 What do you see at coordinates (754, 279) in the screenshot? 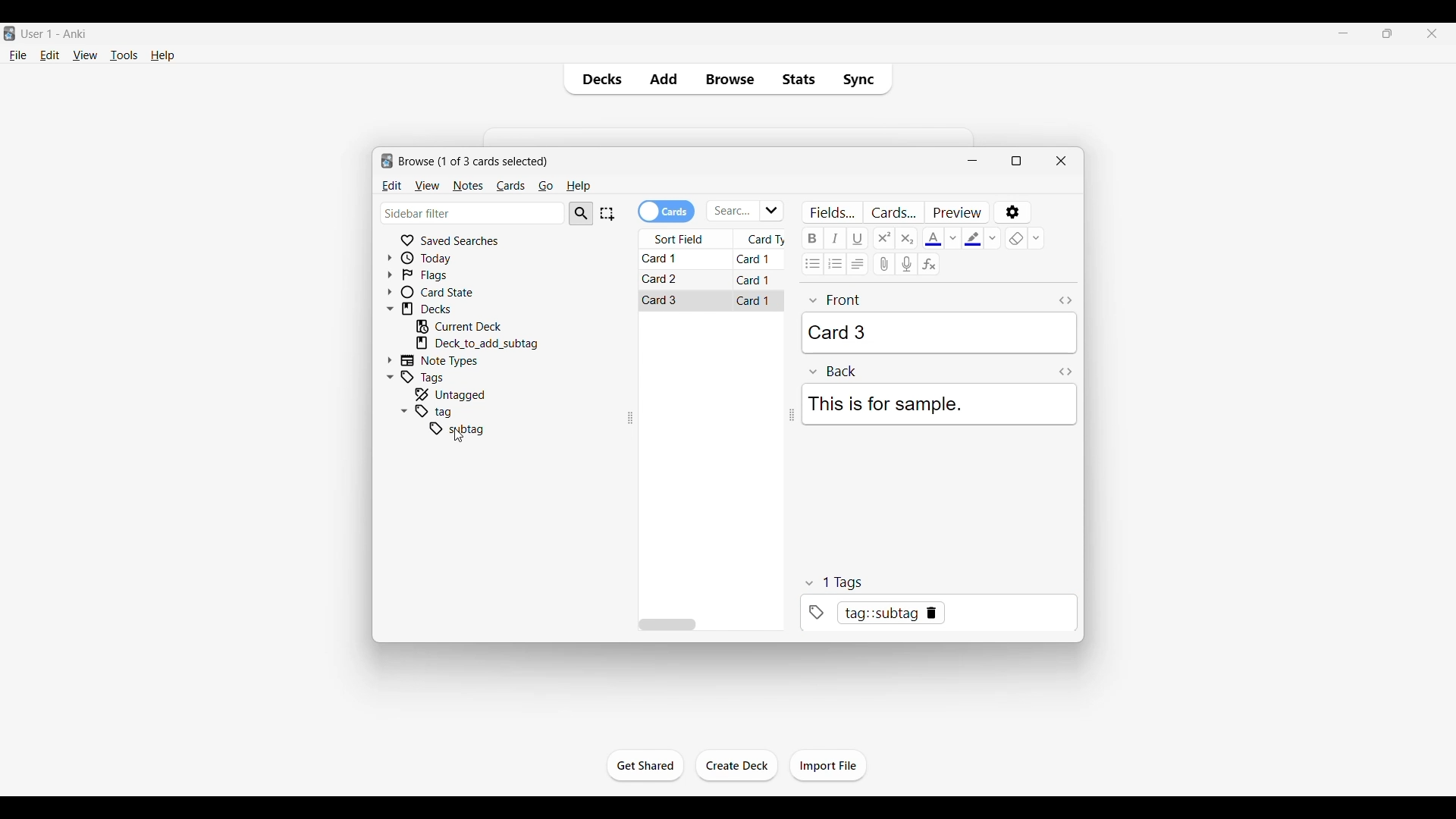
I see `Card 1` at bounding box center [754, 279].